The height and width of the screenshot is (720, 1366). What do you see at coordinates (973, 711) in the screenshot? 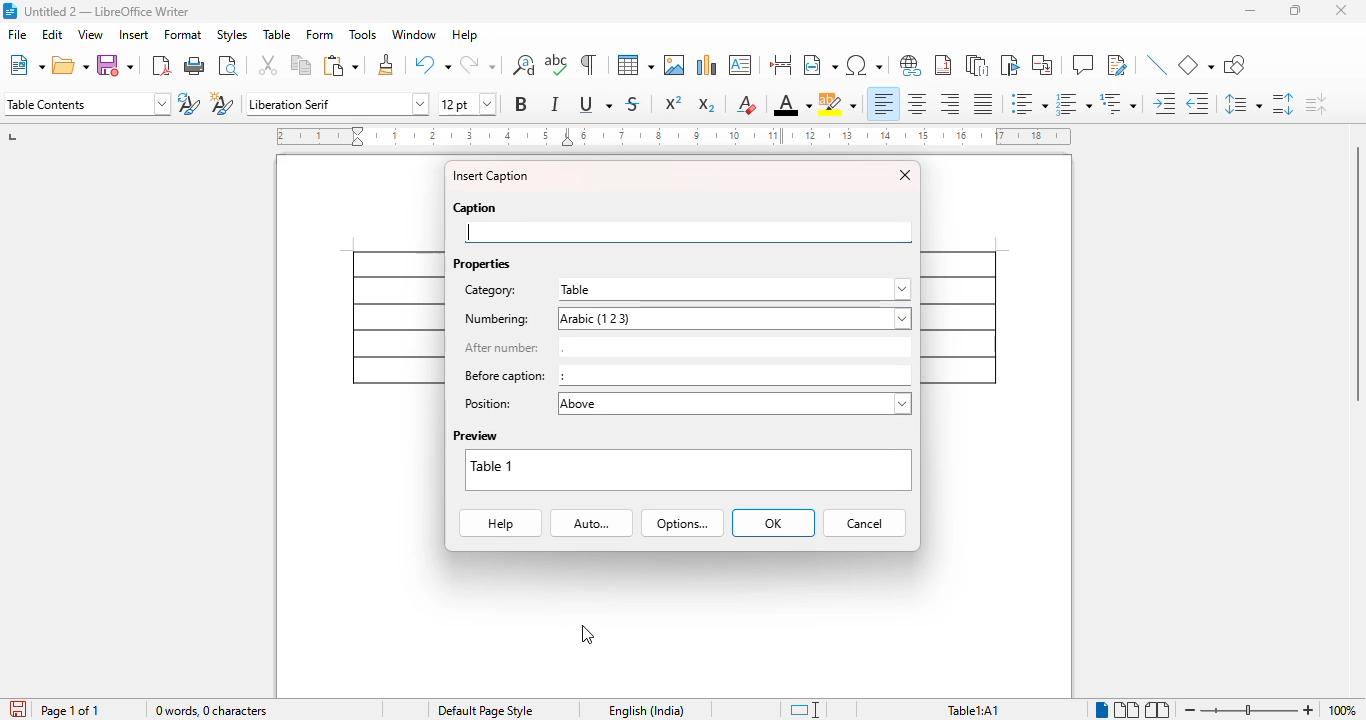
I see `table1: A1` at bounding box center [973, 711].